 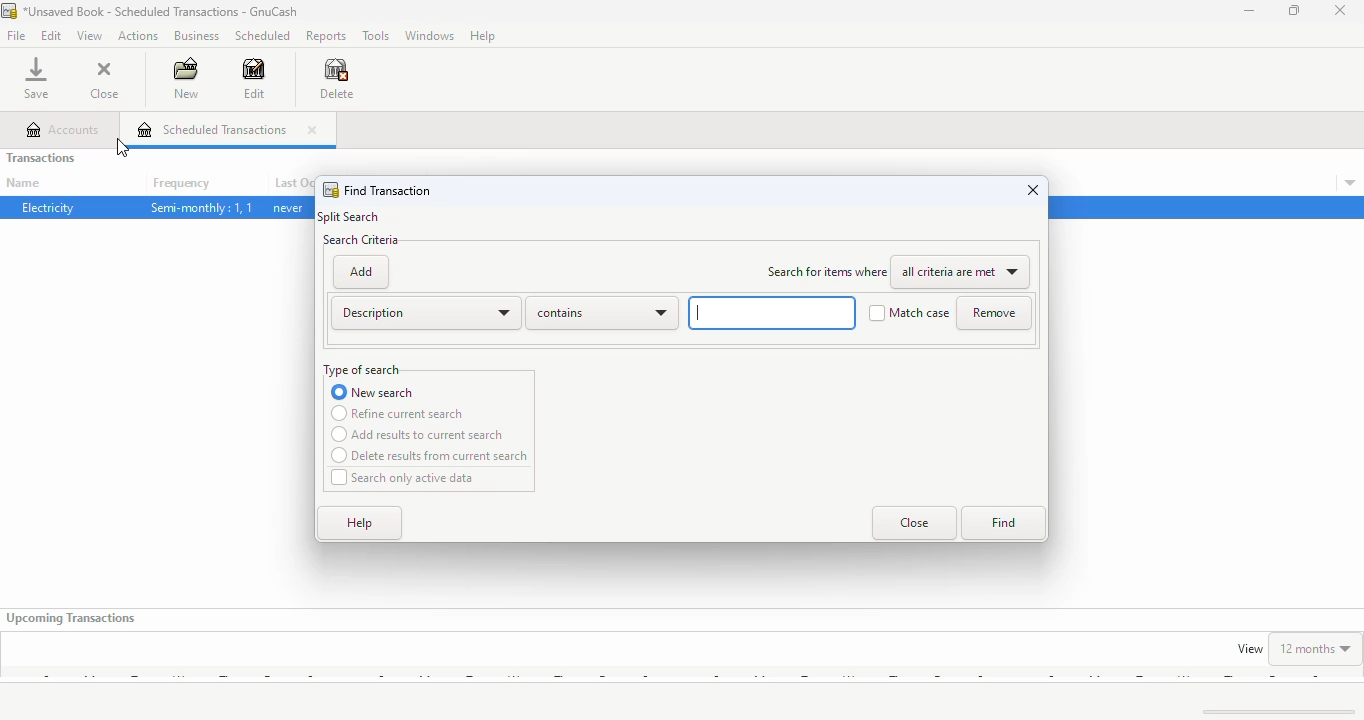 I want to click on type of search, so click(x=362, y=370).